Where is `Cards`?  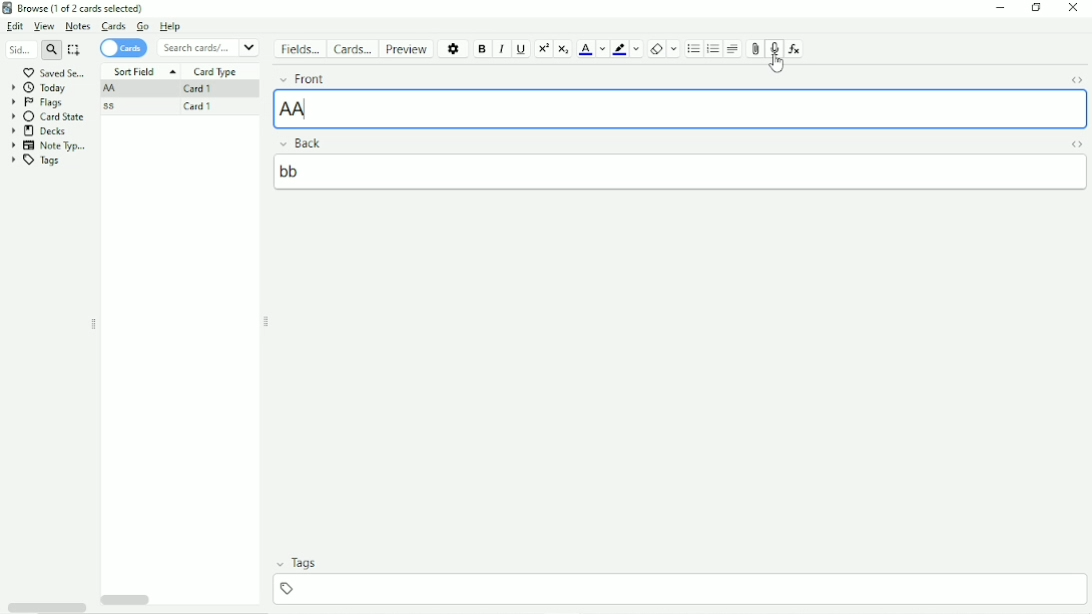 Cards is located at coordinates (123, 48).